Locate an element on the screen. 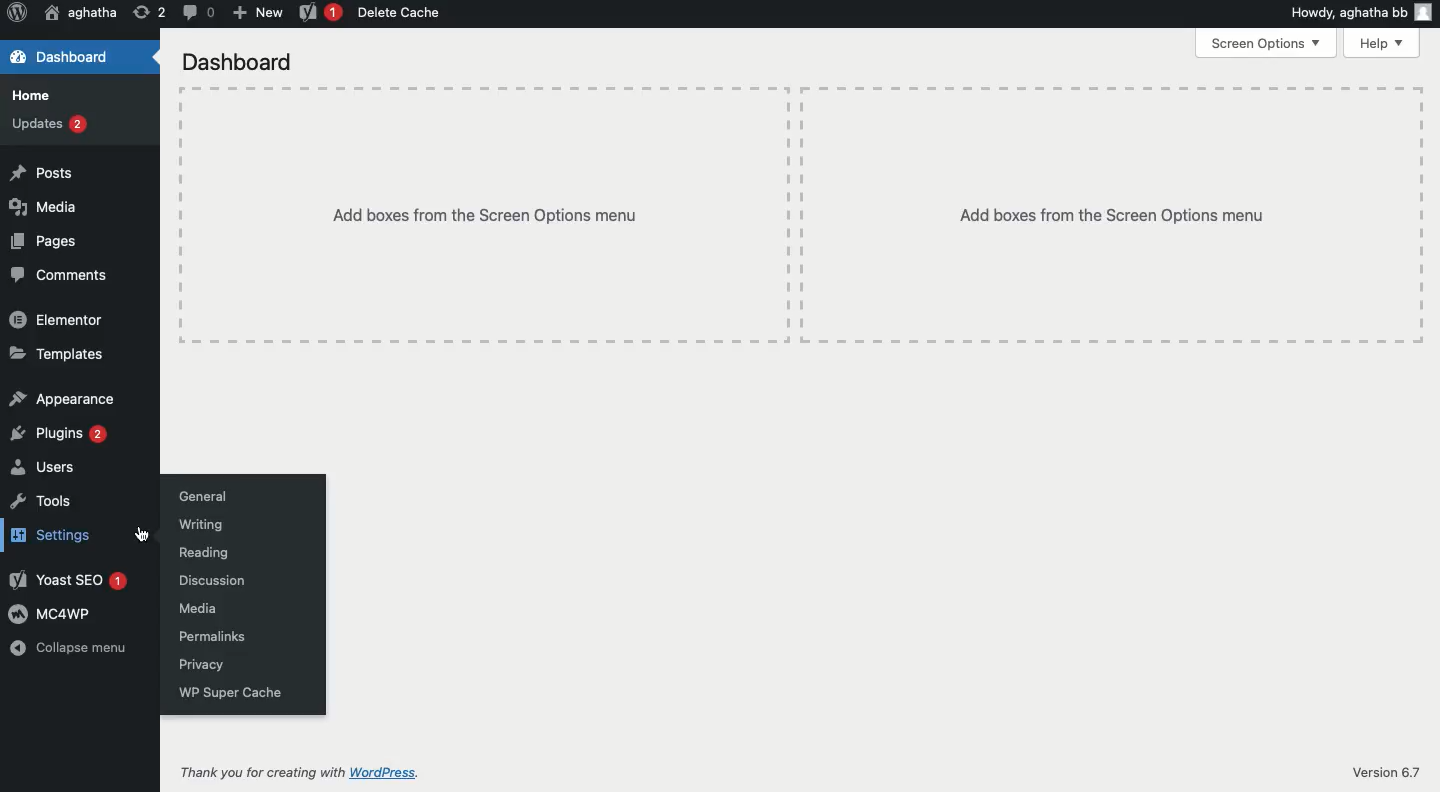  Add boxes from the screen options menu is located at coordinates (800, 216).